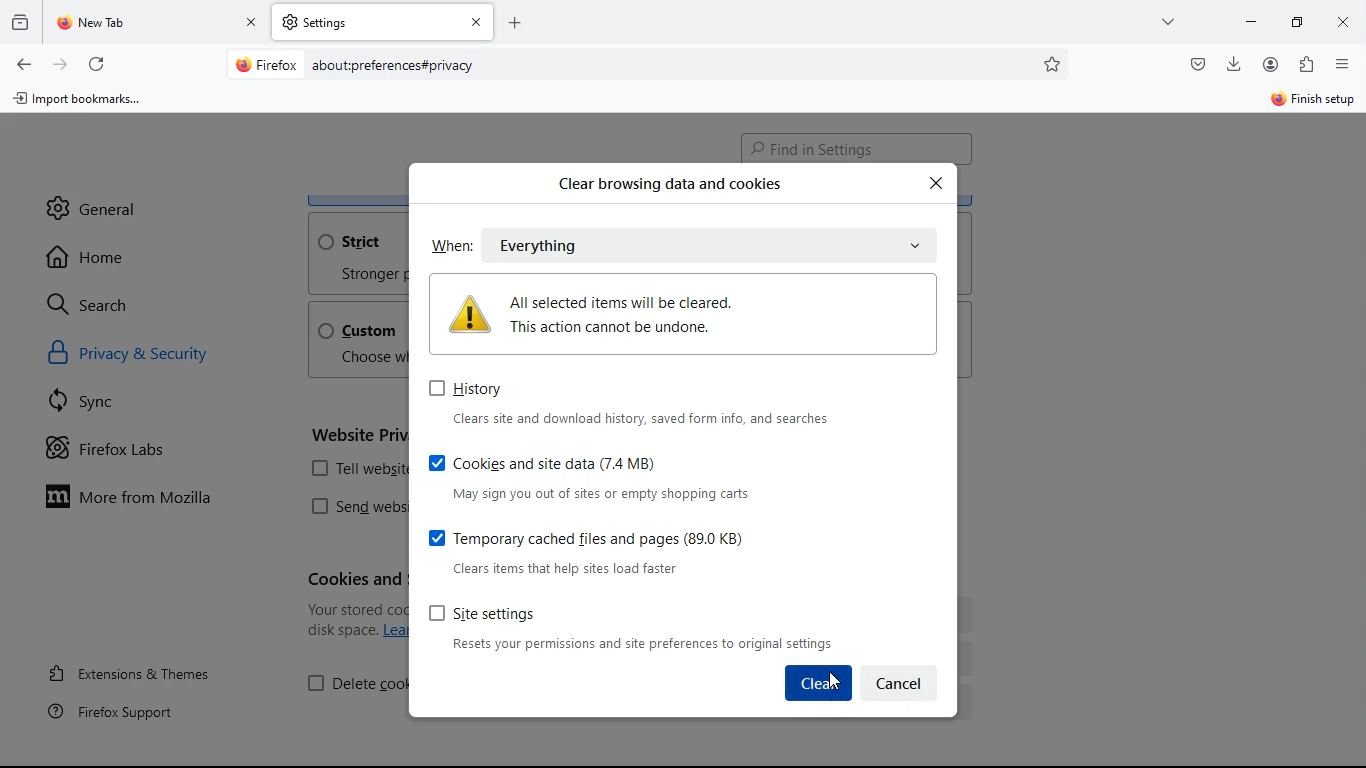  What do you see at coordinates (1302, 21) in the screenshot?
I see `minimize` at bounding box center [1302, 21].